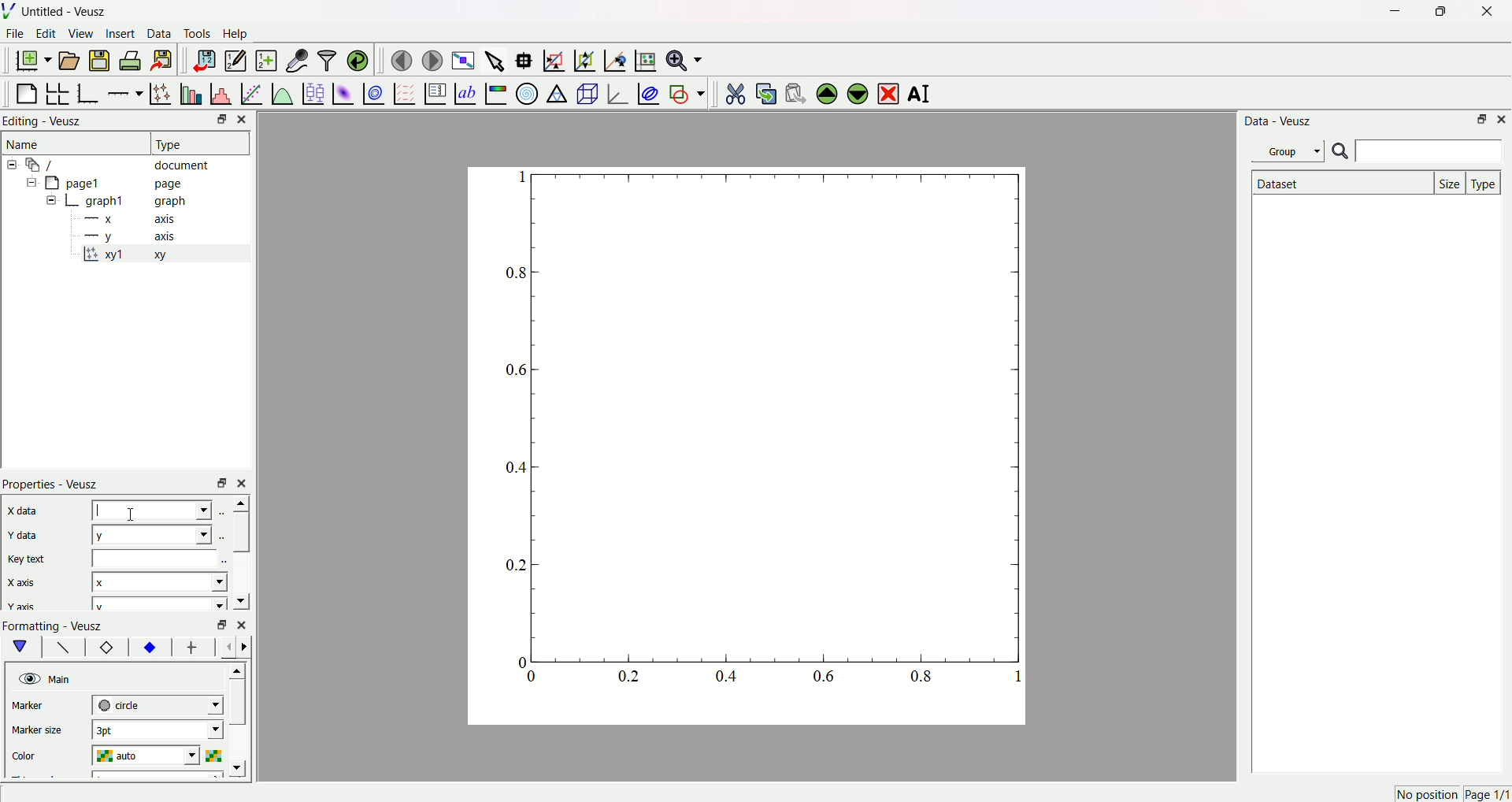 The width and height of the screenshot is (1512, 802). What do you see at coordinates (735, 91) in the screenshot?
I see `cut the widgets` at bounding box center [735, 91].